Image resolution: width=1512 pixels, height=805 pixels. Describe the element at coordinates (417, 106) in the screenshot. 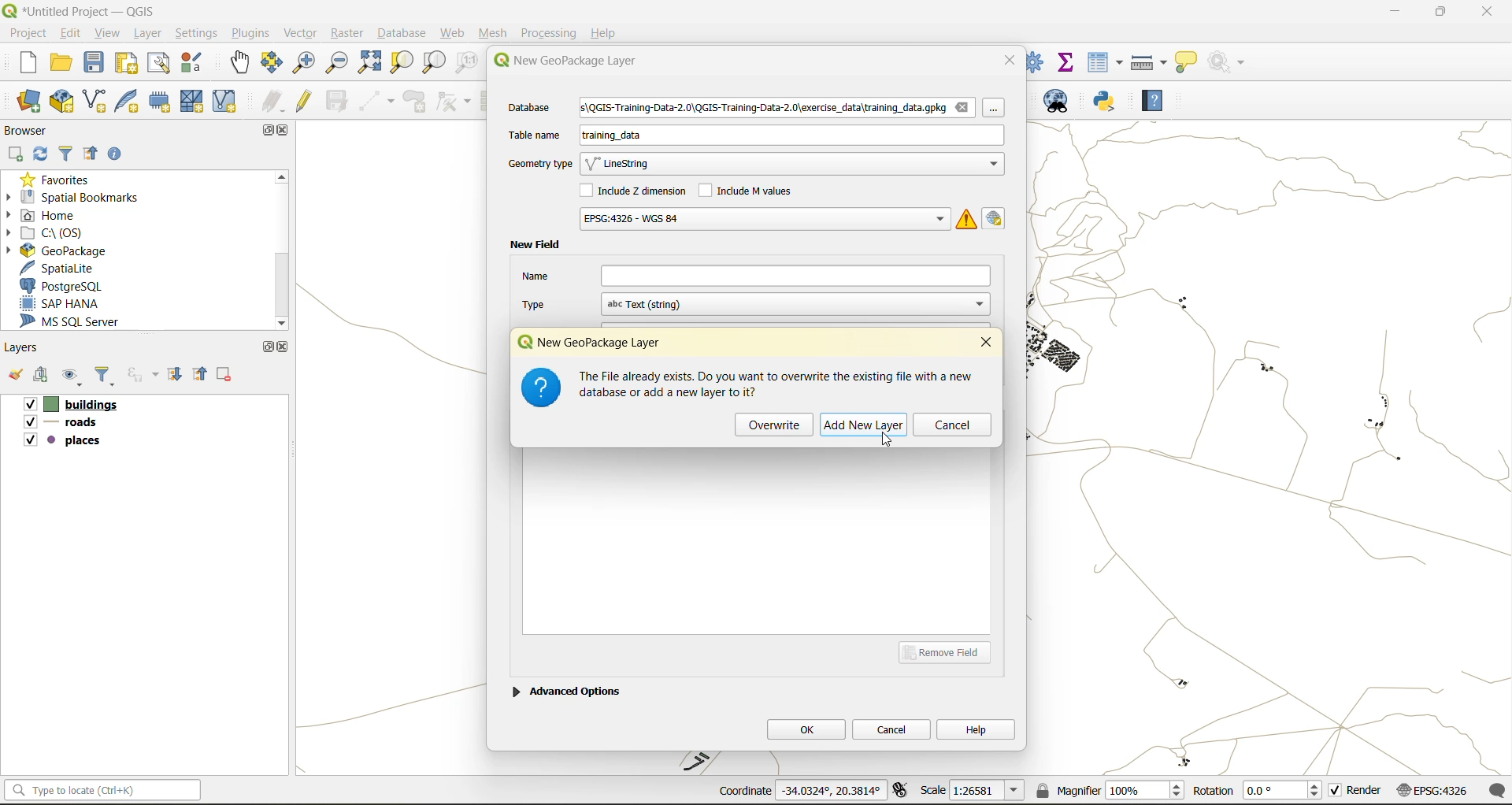

I see `add polygon` at that location.